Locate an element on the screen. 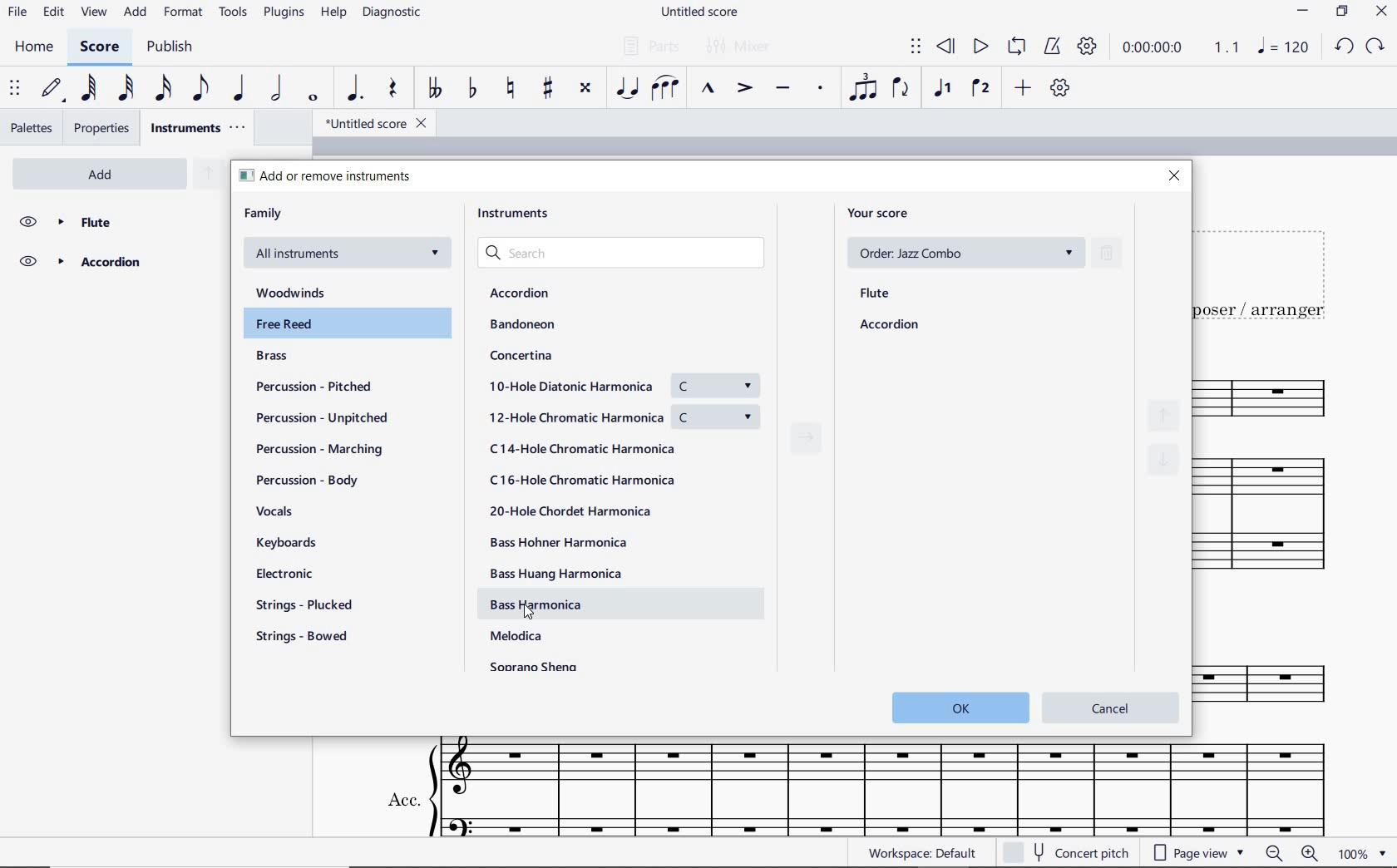  flute is located at coordinates (876, 294).